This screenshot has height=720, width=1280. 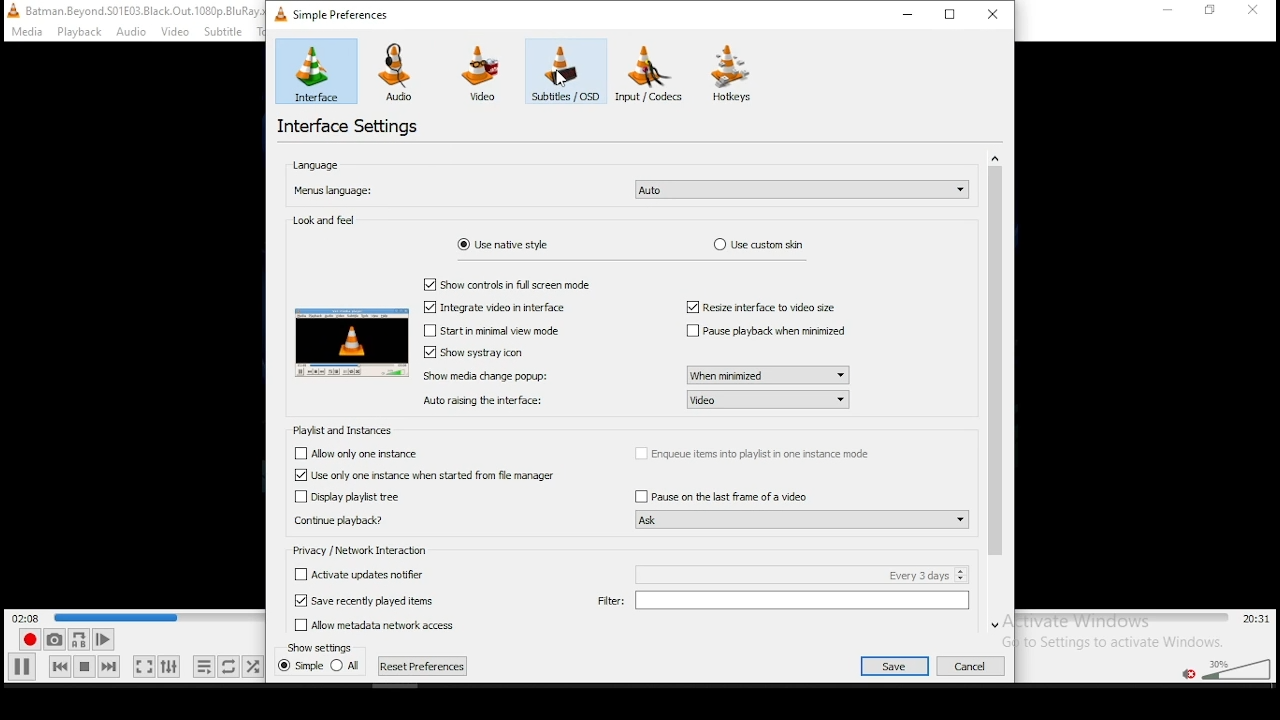 What do you see at coordinates (132, 32) in the screenshot?
I see `` at bounding box center [132, 32].